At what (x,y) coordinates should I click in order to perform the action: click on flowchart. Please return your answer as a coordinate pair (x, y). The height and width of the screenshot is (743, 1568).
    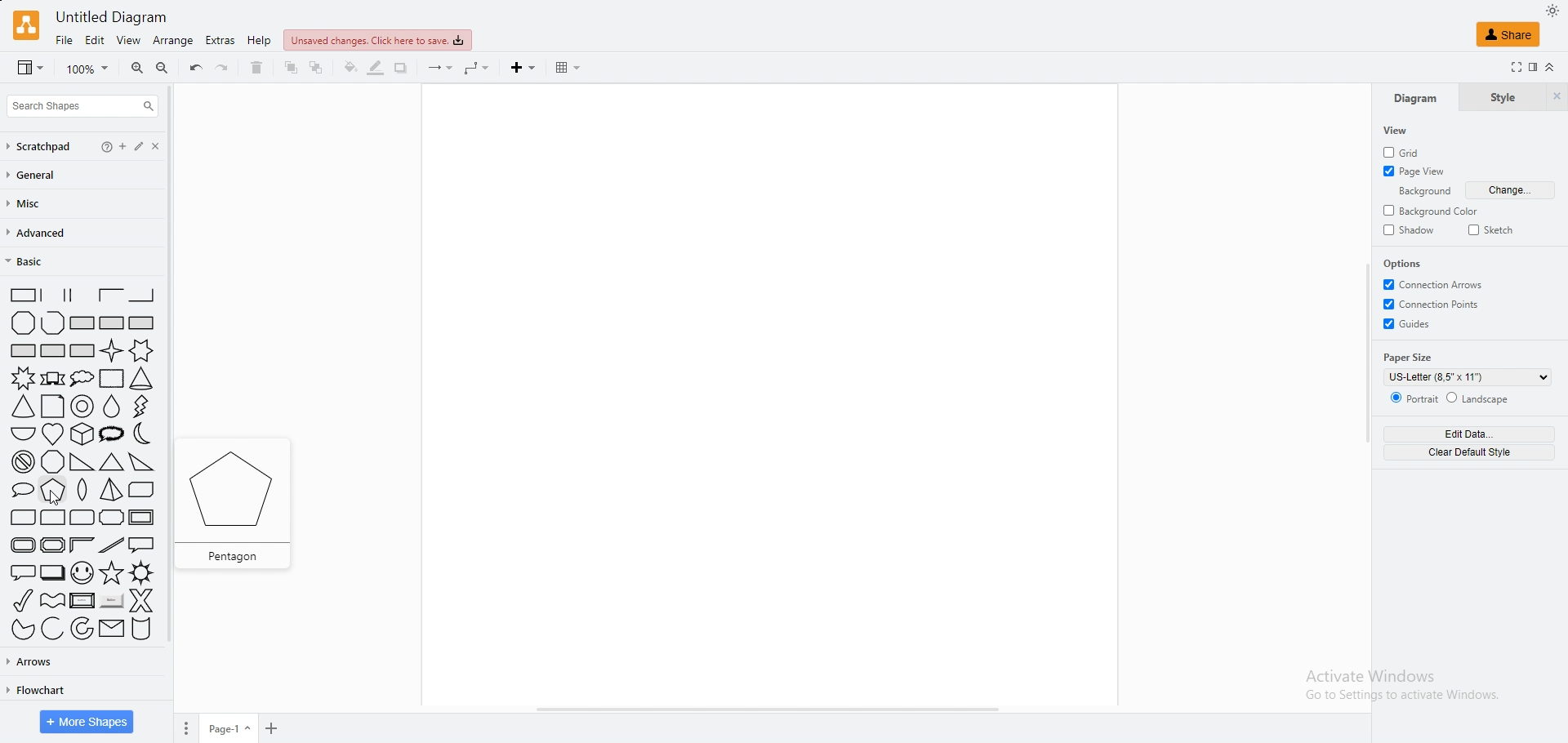
    Looking at the image, I should click on (34, 690).